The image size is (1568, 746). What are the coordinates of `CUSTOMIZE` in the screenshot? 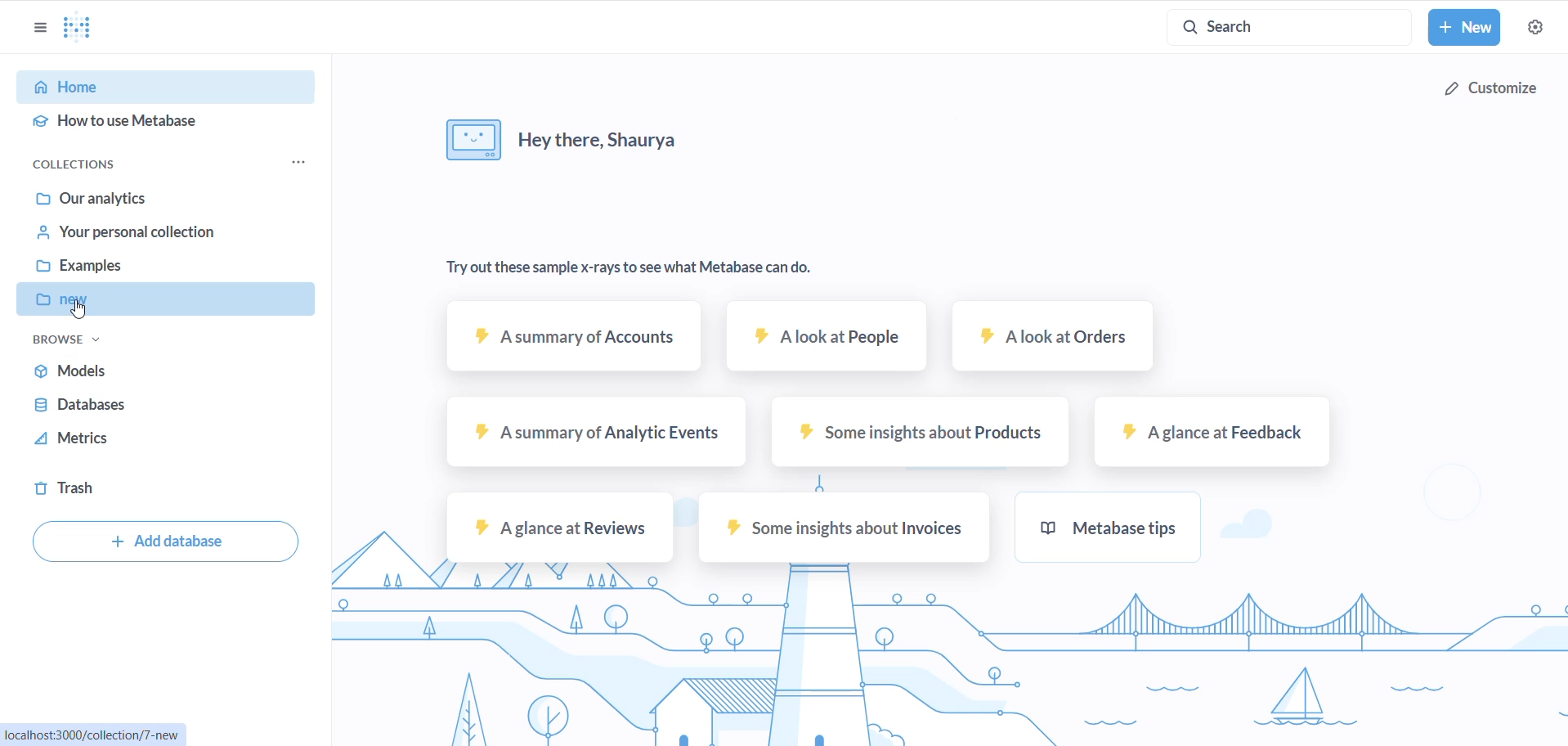 It's located at (1495, 83).